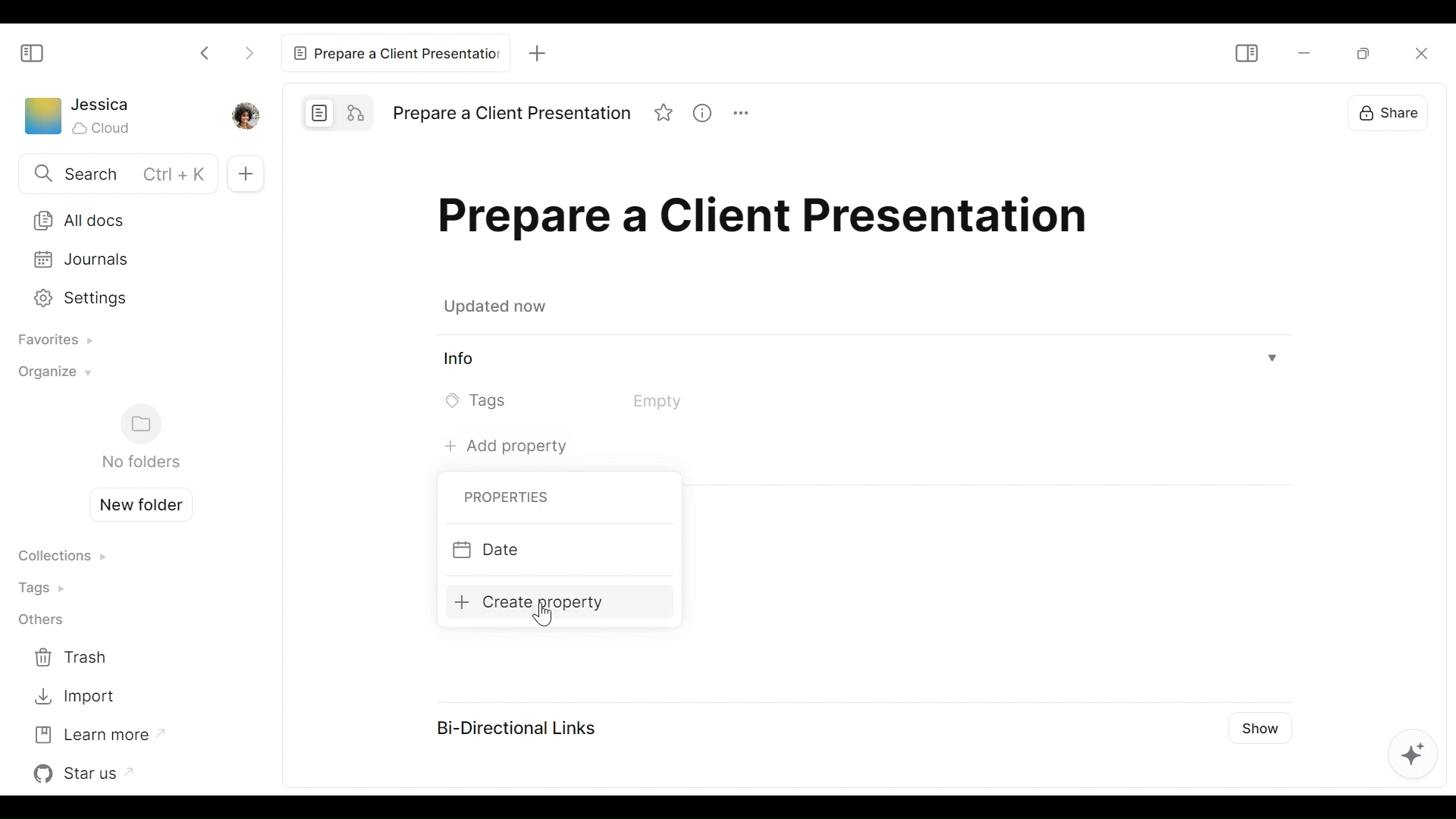 The width and height of the screenshot is (1456, 819). I want to click on minimize, so click(1302, 54).